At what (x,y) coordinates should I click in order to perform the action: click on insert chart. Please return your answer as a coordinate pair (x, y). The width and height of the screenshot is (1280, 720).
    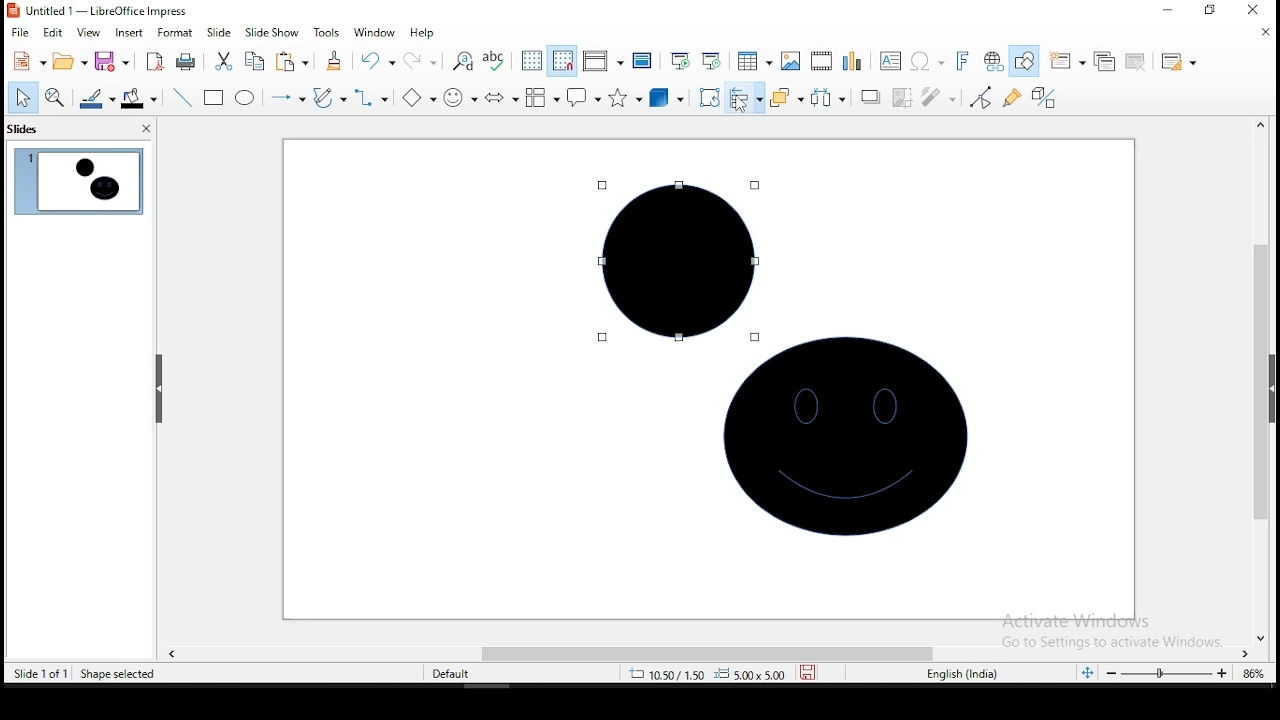
    Looking at the image, I should click on (852, 60).